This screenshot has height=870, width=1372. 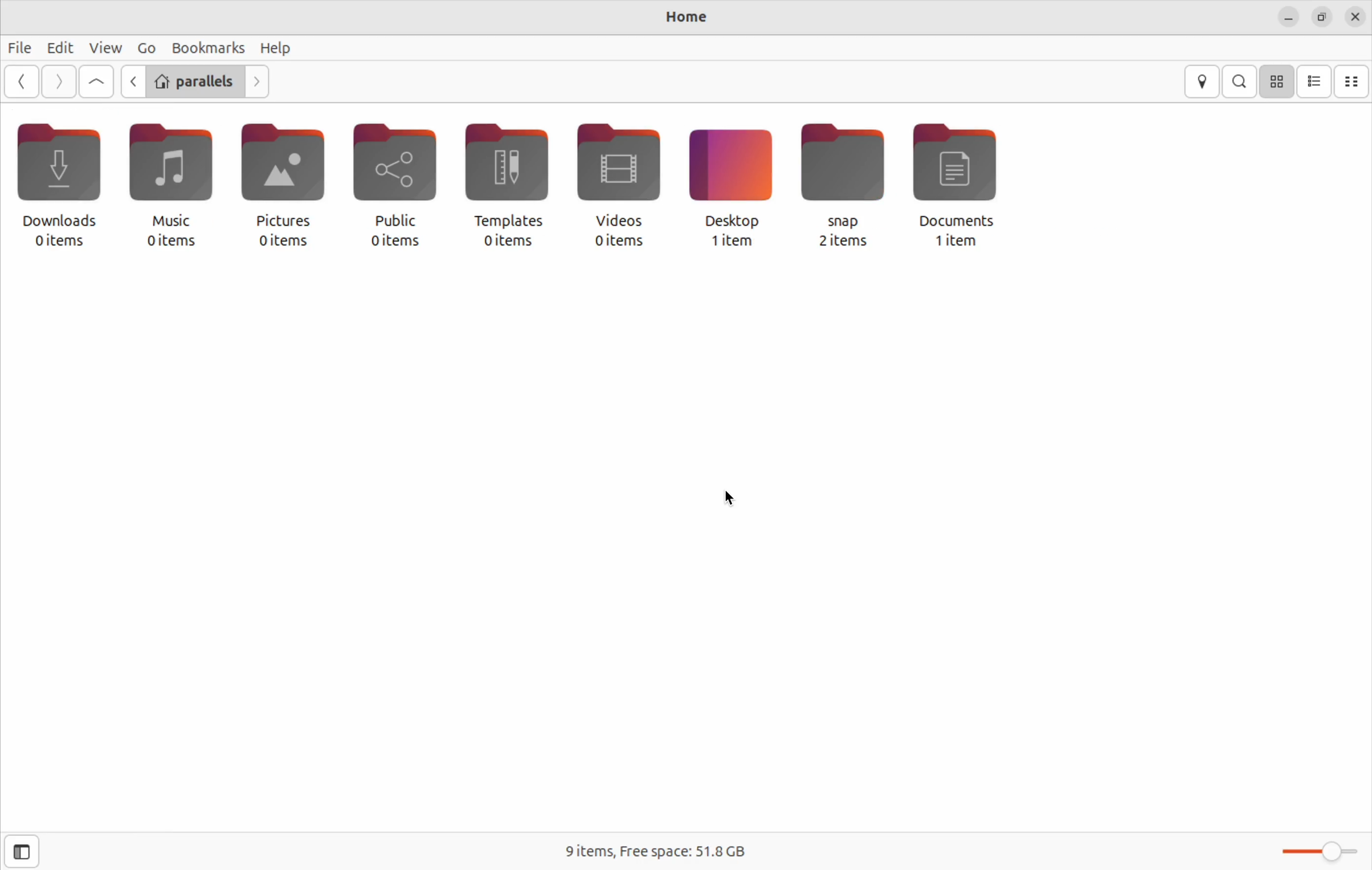 What do you see at coordinates (105, 47) in the screenshot?
I see `view` at bounding box center [105, 47].